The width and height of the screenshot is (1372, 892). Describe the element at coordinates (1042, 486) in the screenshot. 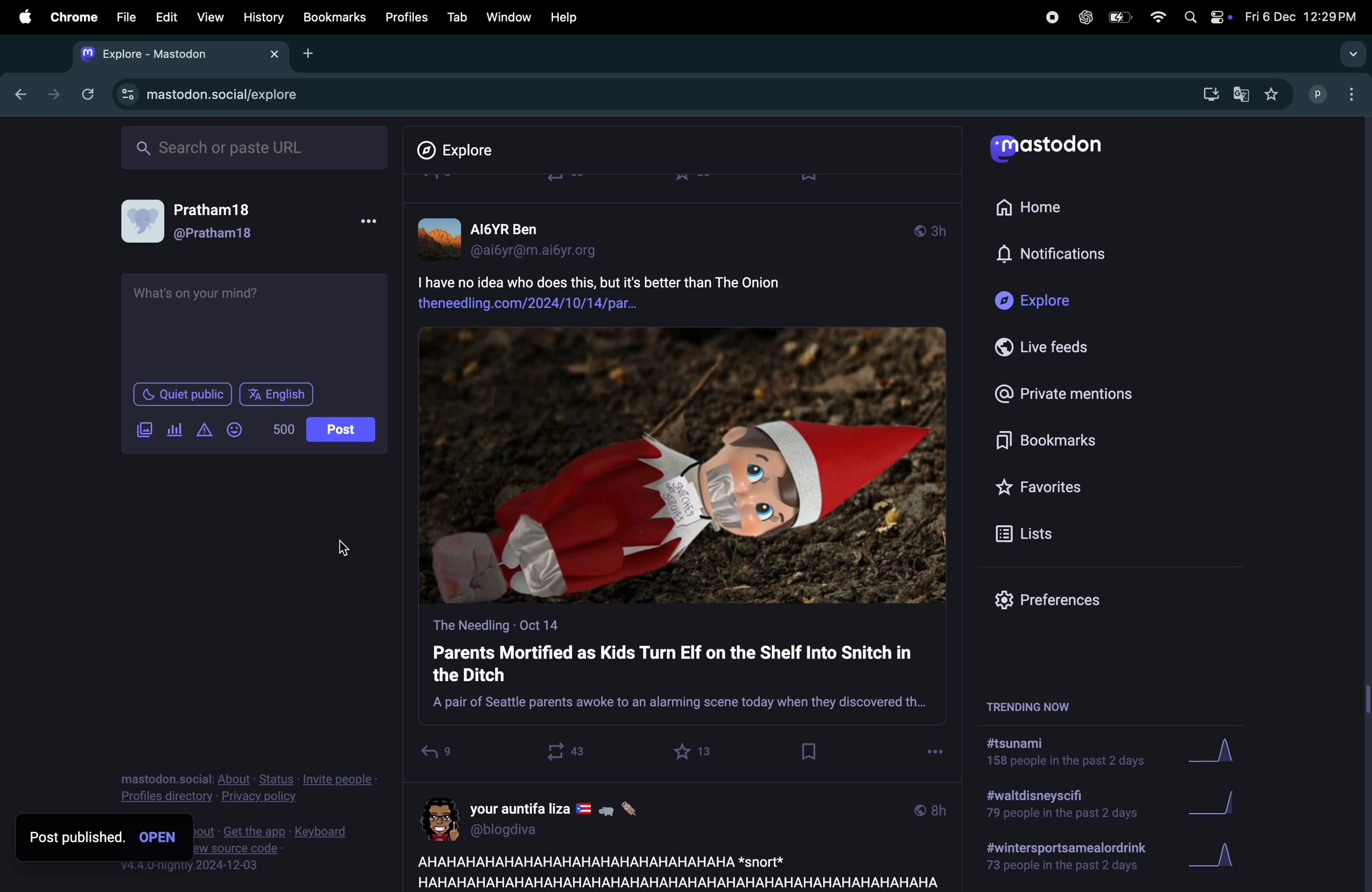

I see `Favourites` at that location.